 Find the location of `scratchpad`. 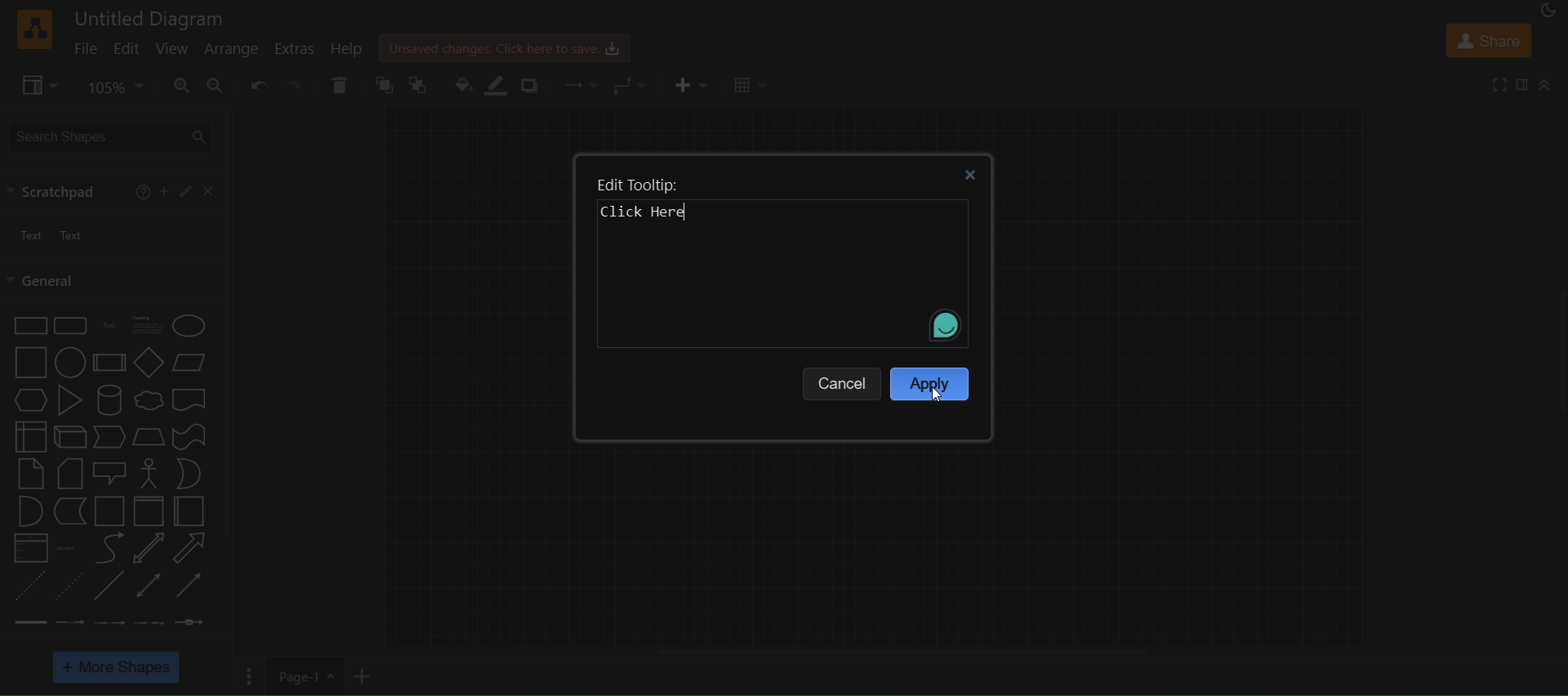

scratchpad is located at coordinates (56, 190).